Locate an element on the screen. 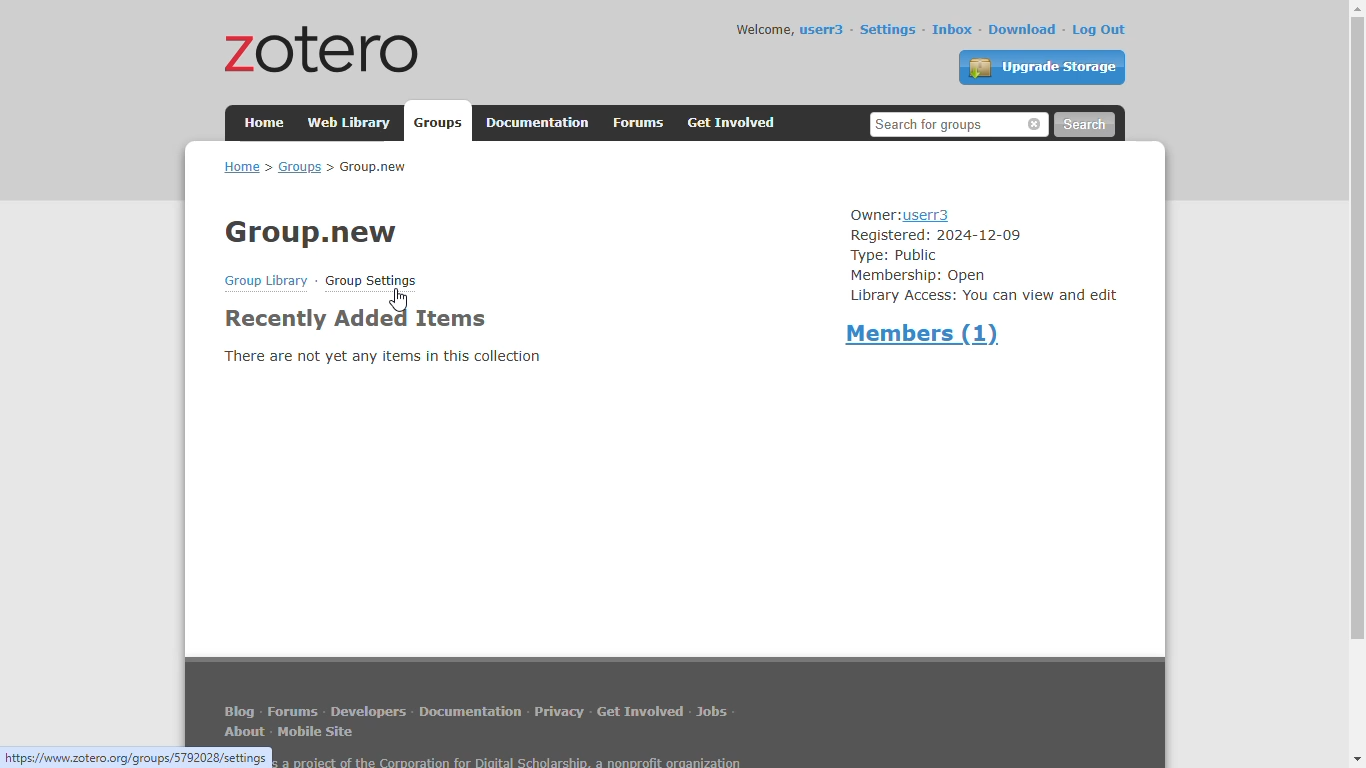 Image resolution: width=1366 pixels, height=768 pixels. forums is located at coordinates (293, 712).